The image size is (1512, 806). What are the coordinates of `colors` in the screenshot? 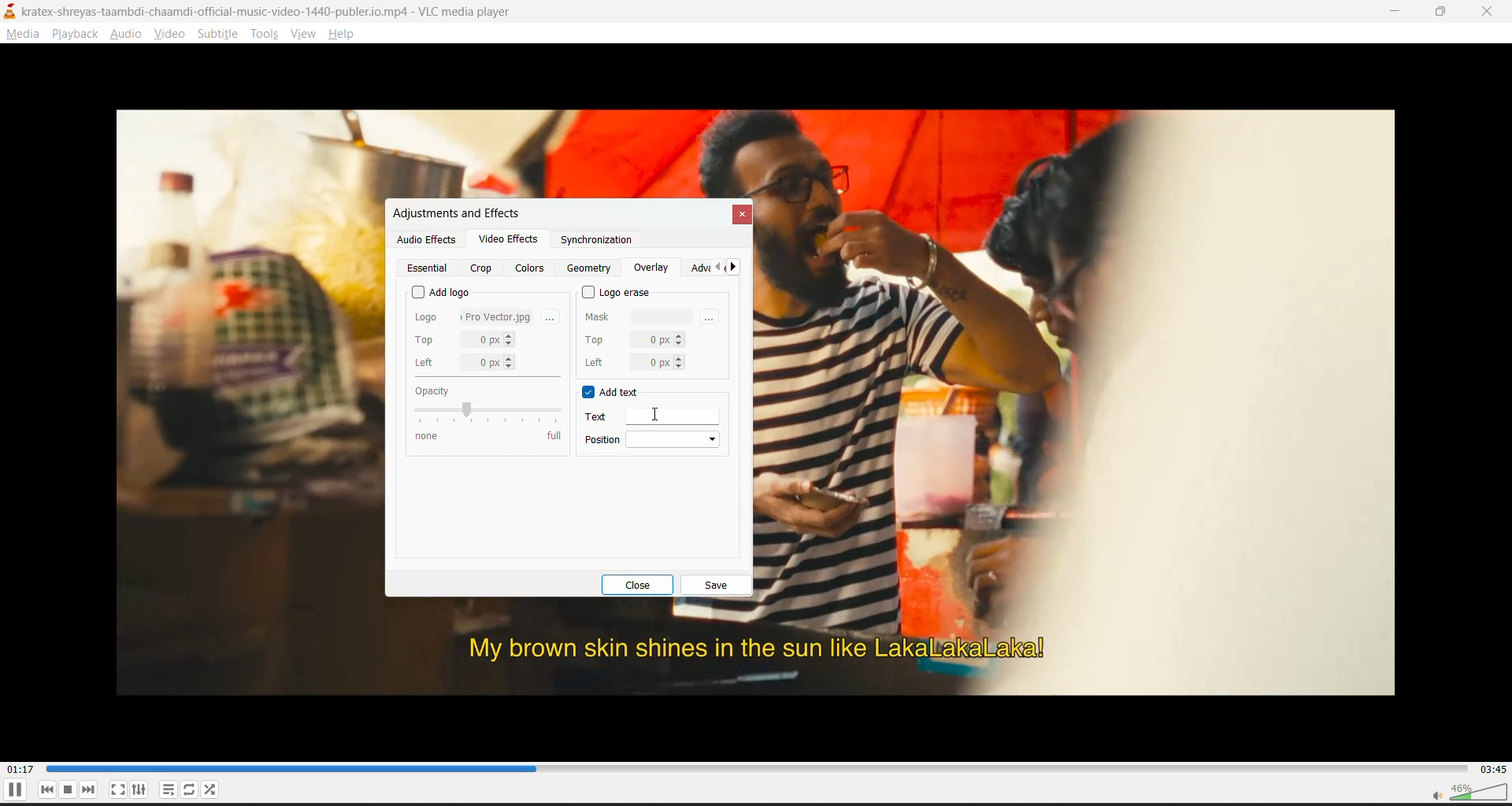 It's located at (532, 268).